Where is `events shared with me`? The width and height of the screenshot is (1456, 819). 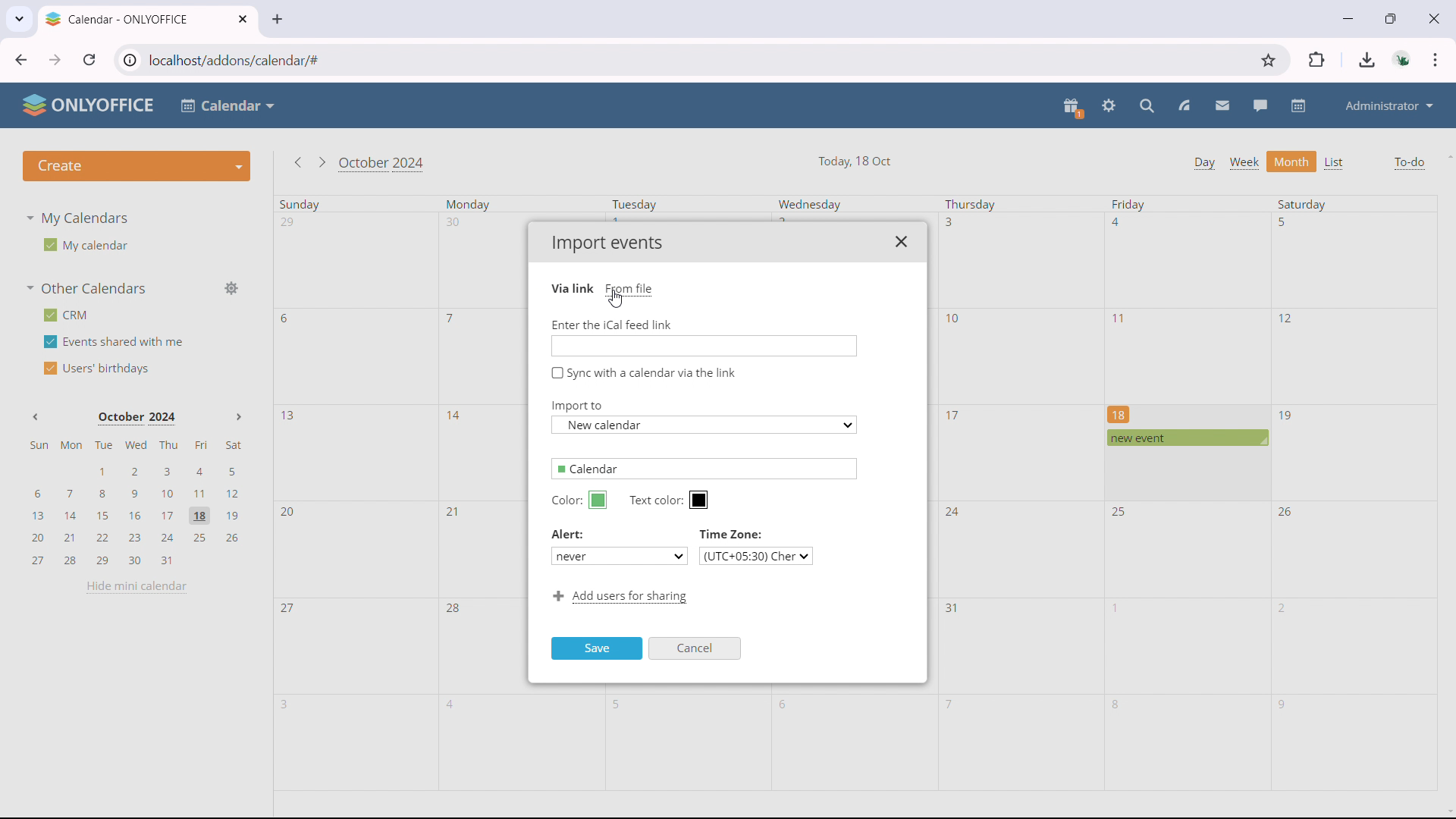
events shared with me is located at coordinates (115, 341).